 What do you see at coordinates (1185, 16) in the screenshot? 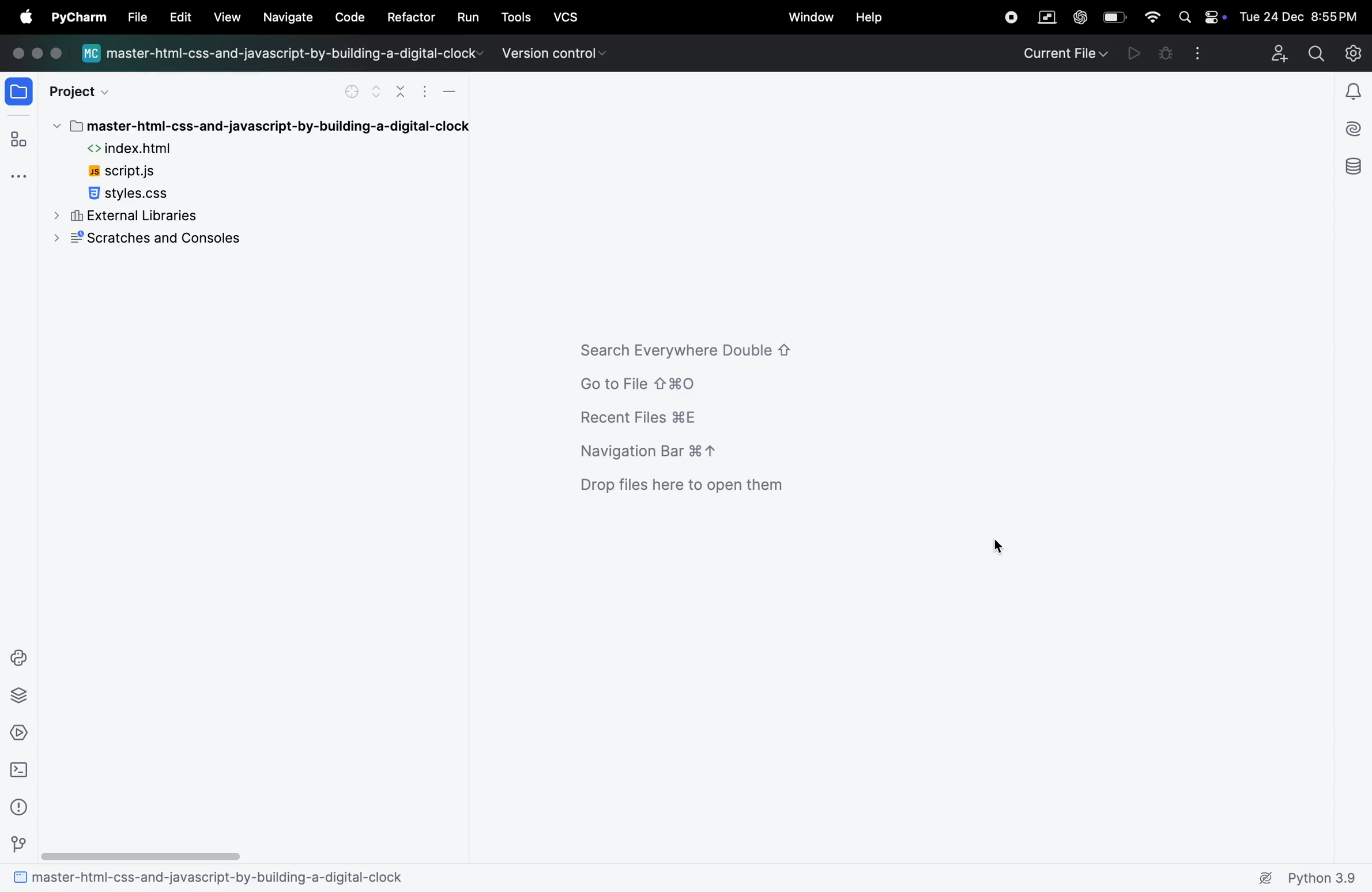
I see `search` at bounding box center [1185, 16].